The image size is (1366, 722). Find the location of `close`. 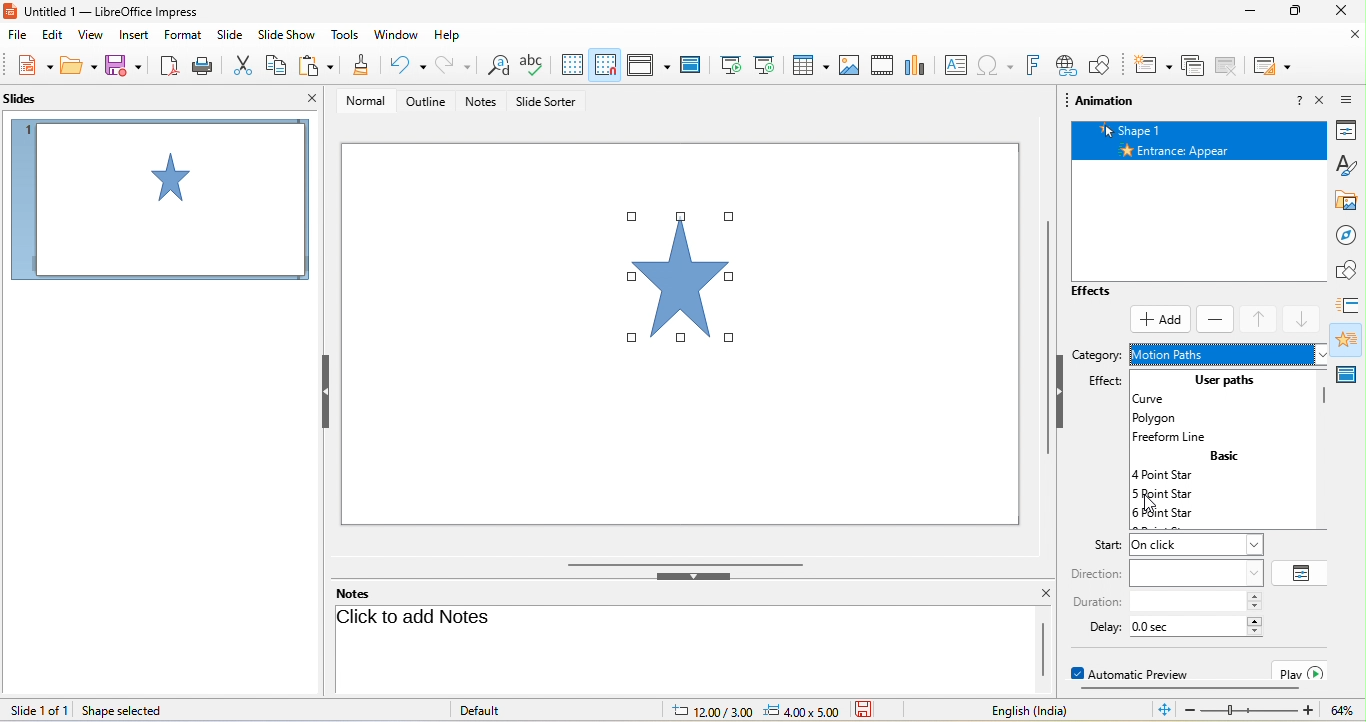

close is located at coordinates (1321, 100).